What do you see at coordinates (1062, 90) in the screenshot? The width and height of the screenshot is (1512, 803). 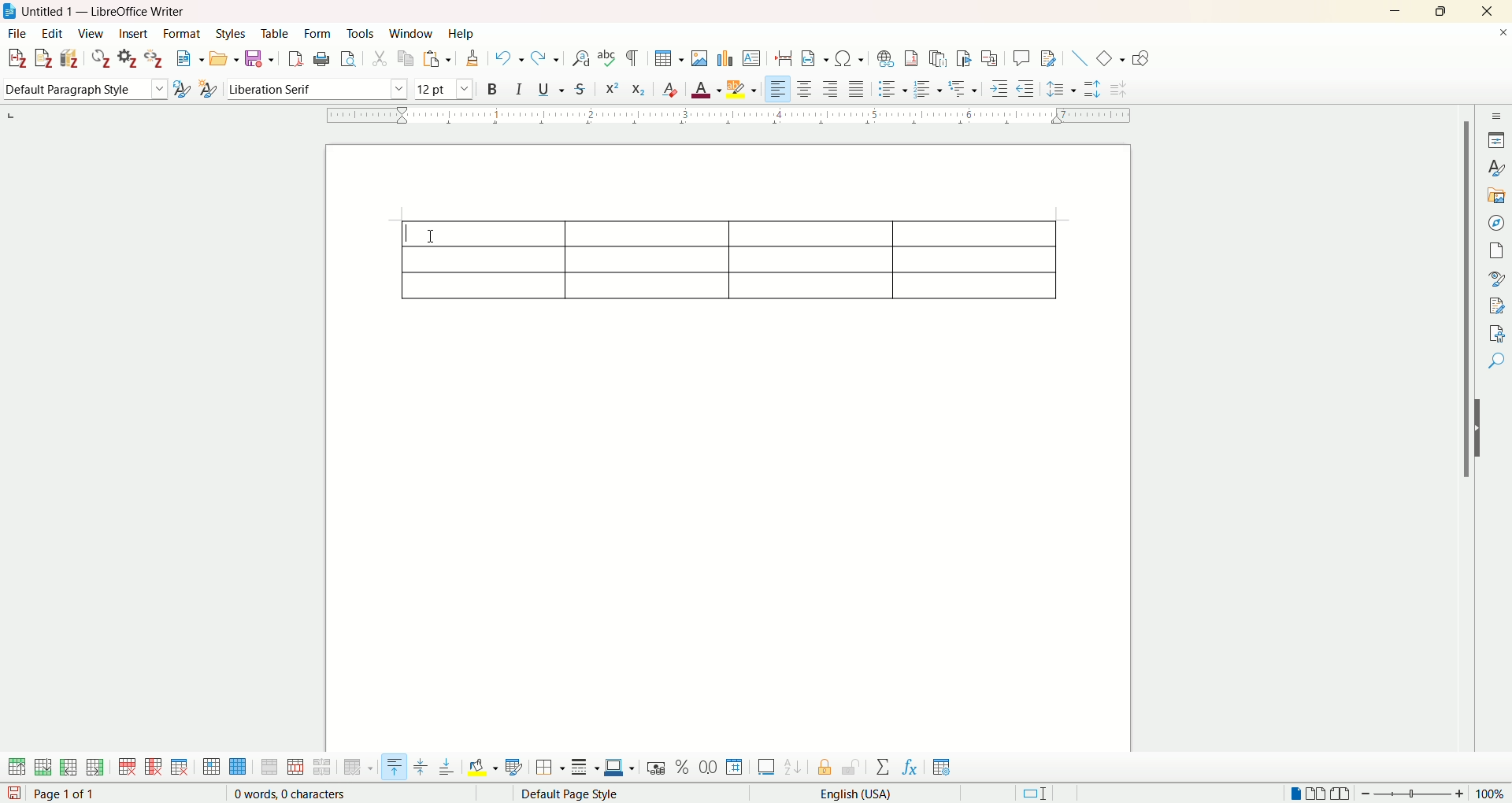 I see `set line spacing` at bounding box center [1062, 90].